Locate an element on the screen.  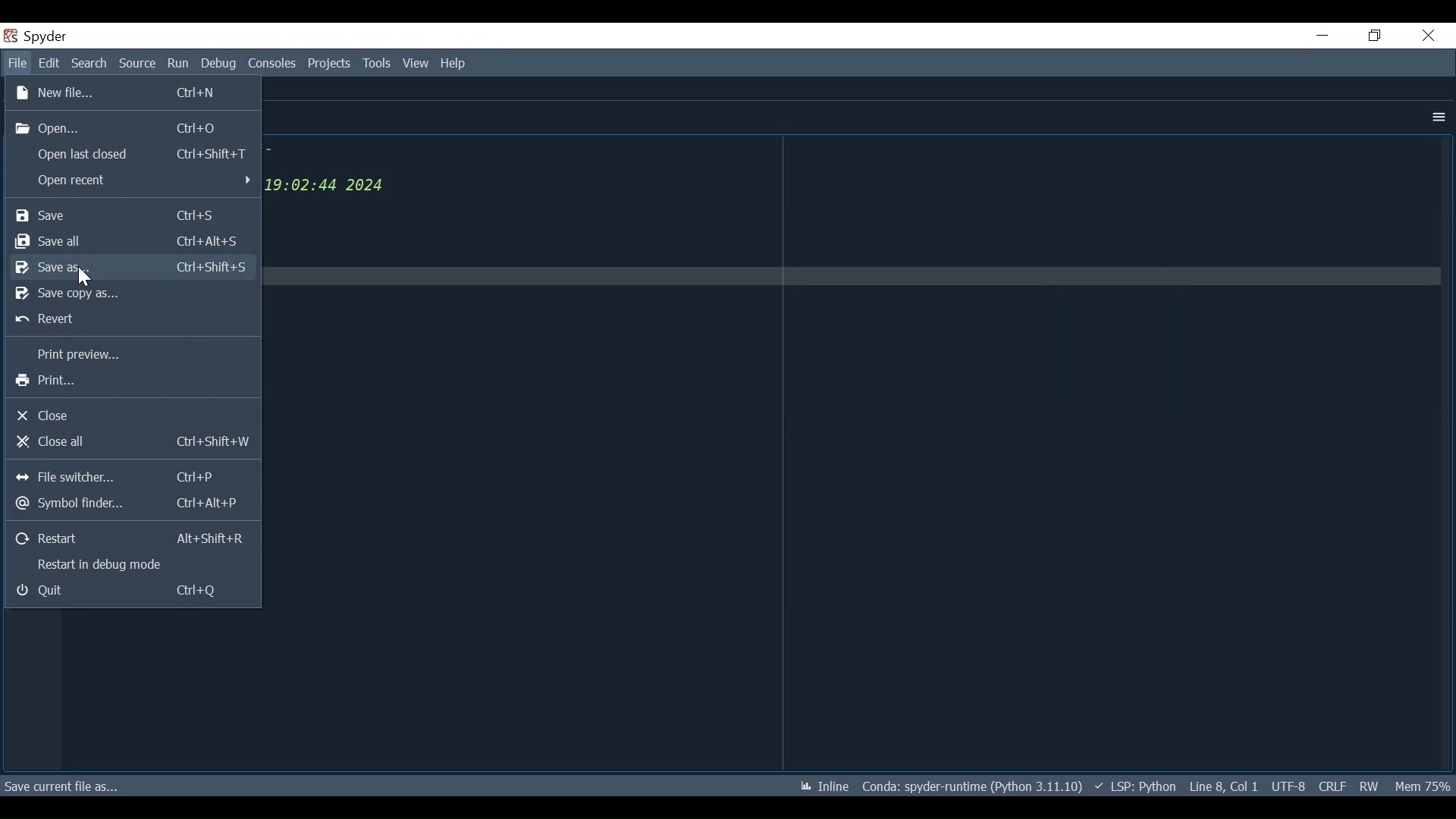
Toggle between inline and interactive Matplotlib plotting is located at coordinates (821, 786).